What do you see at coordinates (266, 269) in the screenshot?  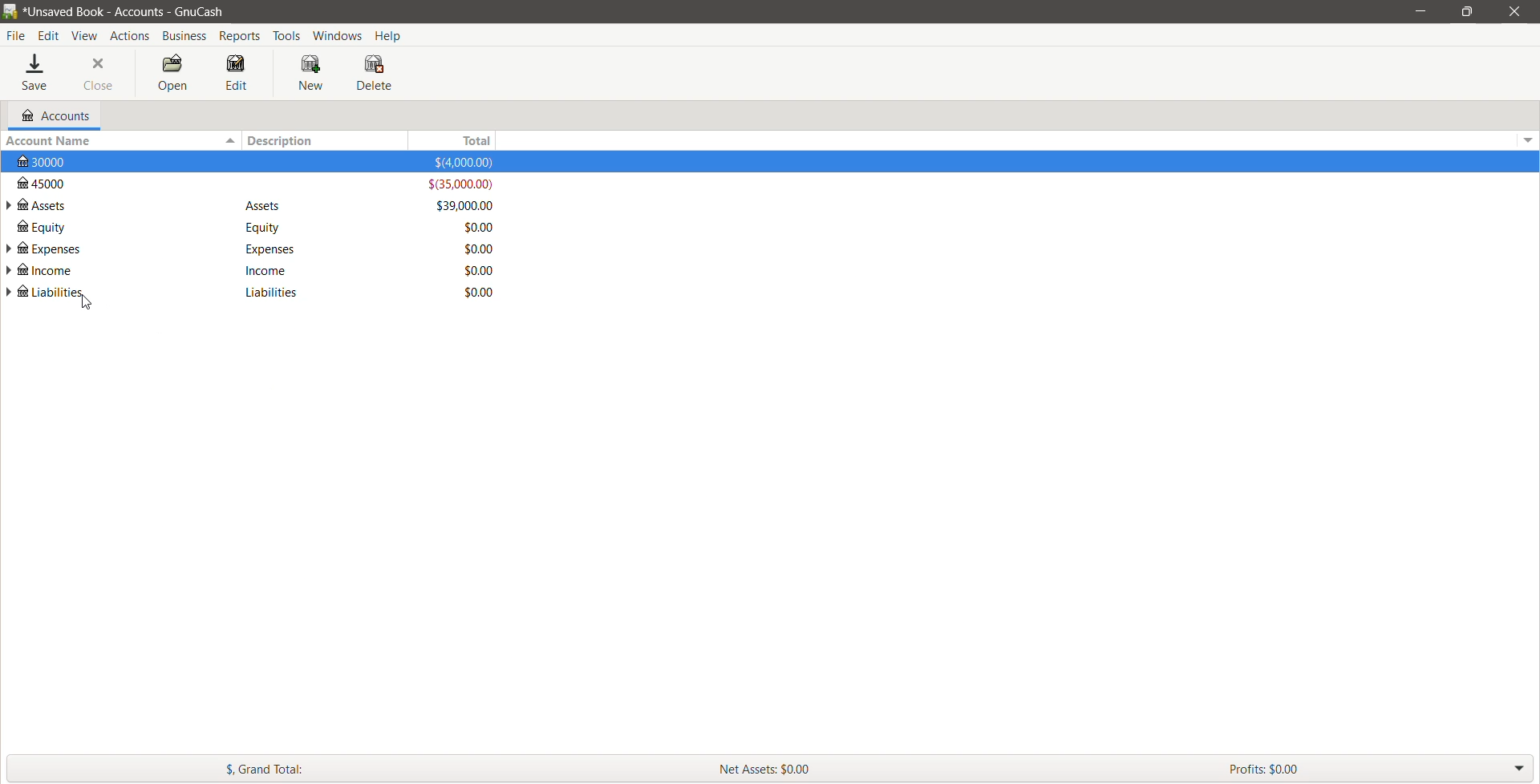 I see `details of the account "Income"` at bounding box center [266, 269].